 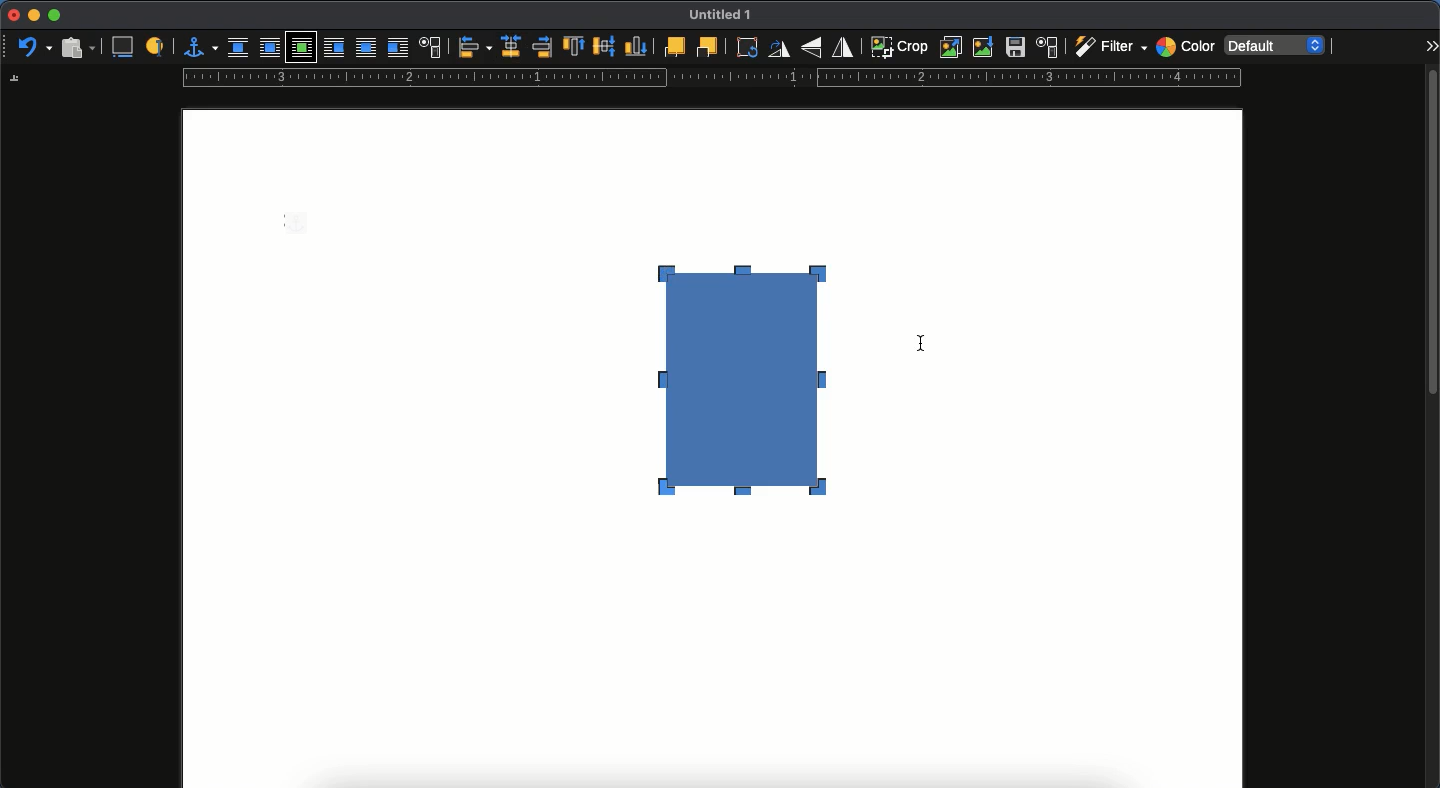 What do you see at coordinates (673, 47) in the screenshot?
I see `to front` at bounding box center [673, 47].